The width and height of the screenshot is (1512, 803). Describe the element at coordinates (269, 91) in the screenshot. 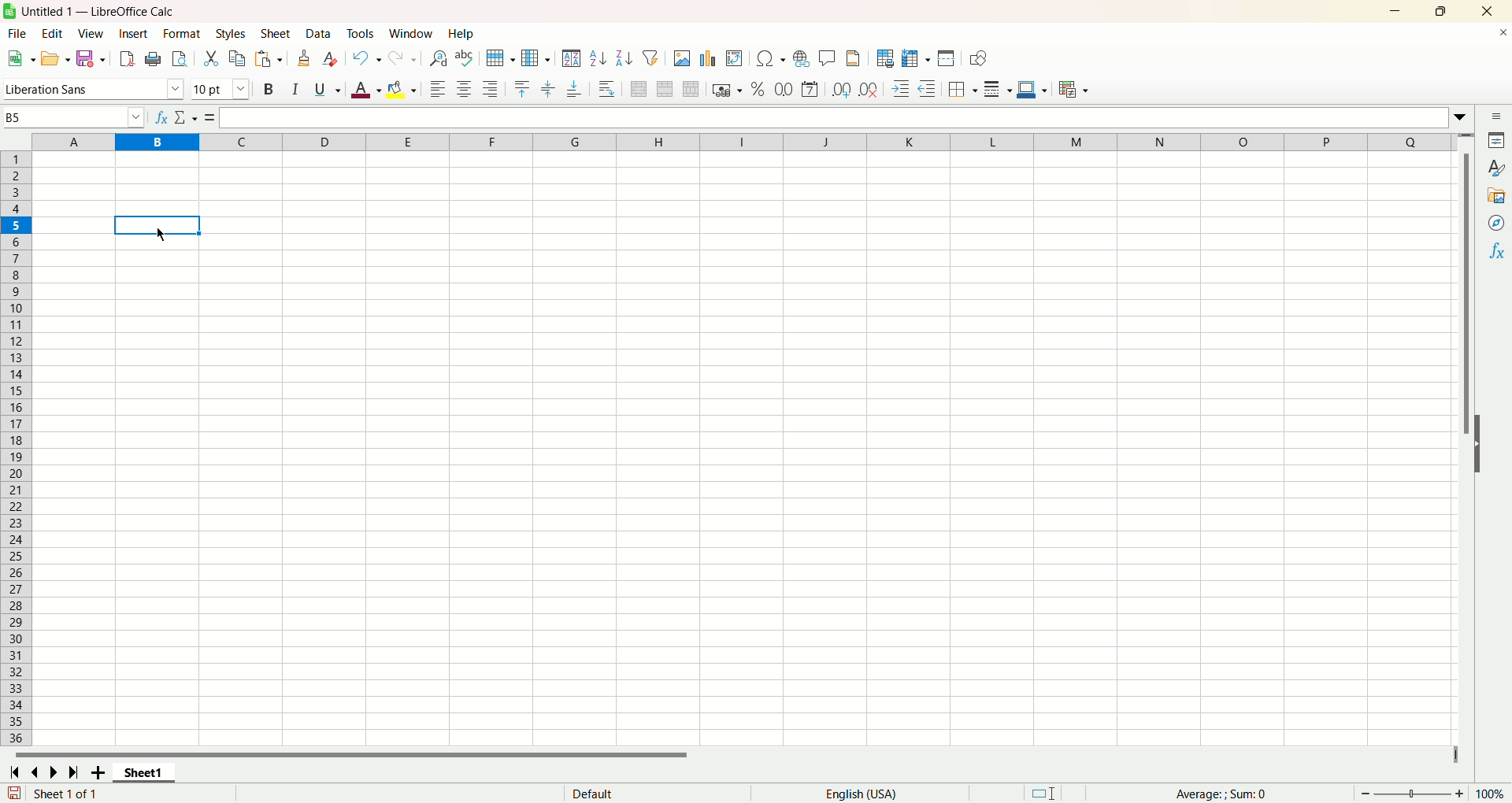

I see `bold` at that location.